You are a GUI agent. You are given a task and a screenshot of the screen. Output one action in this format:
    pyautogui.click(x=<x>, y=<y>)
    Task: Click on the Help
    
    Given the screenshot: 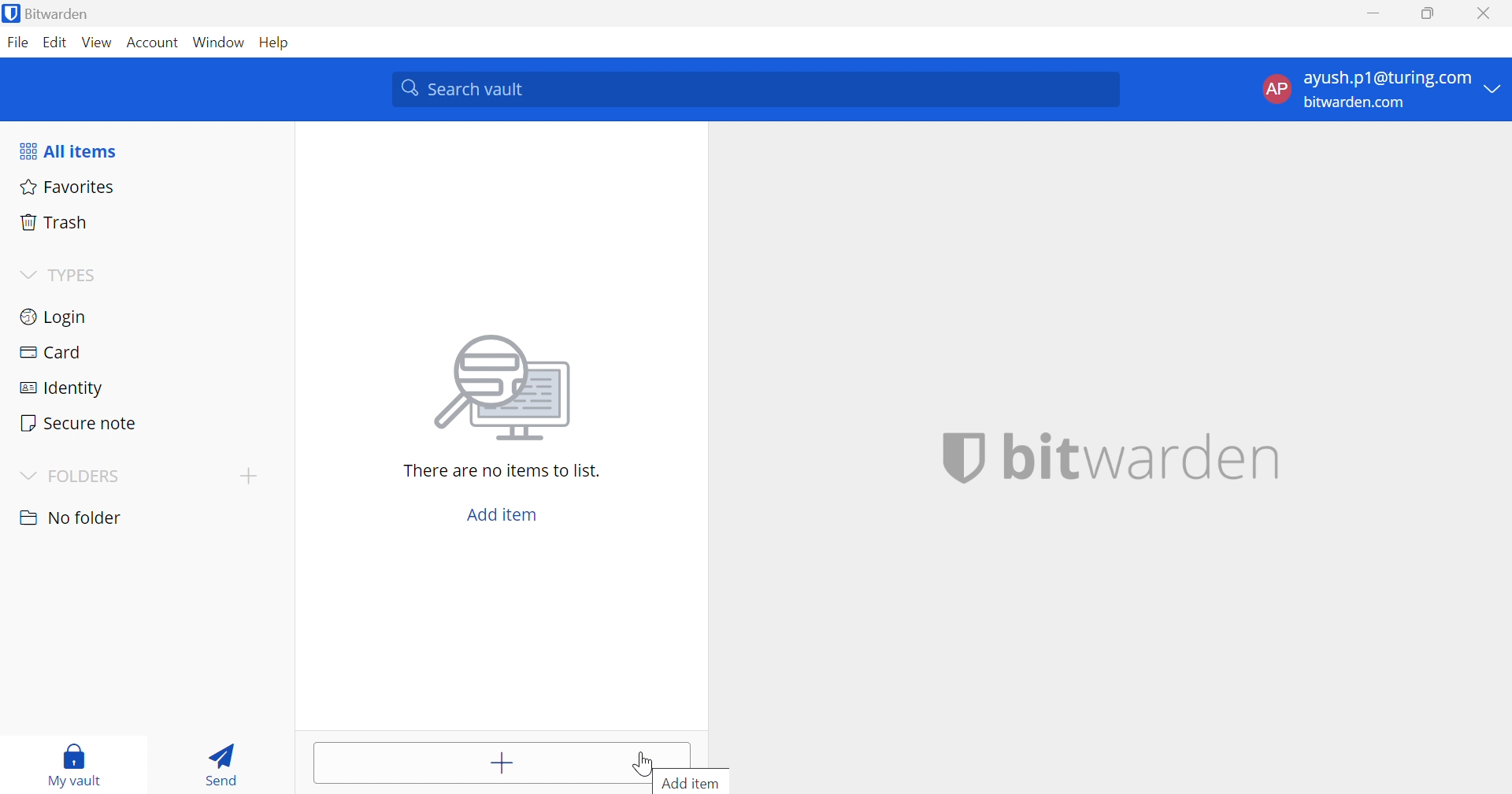 What is the action you would take?
    pyautogui.click(x=272, y=42)
    